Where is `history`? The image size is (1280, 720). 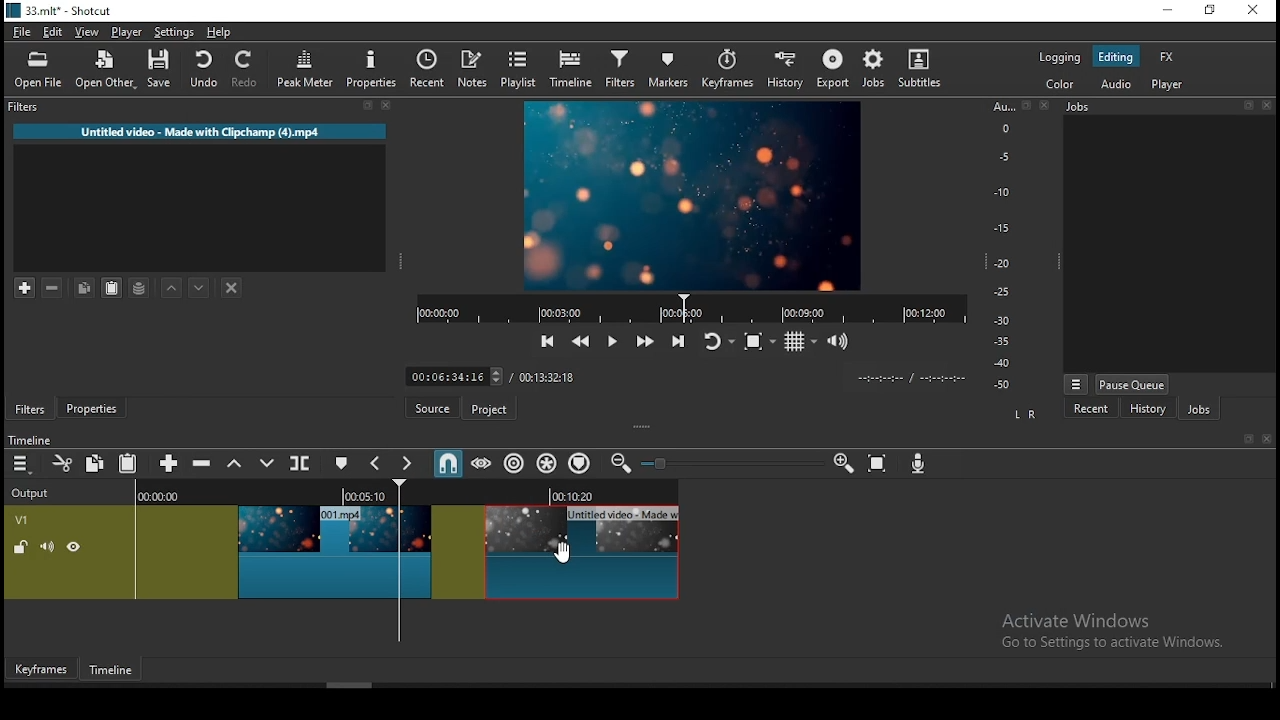
history is located at coordinates (782, 71).